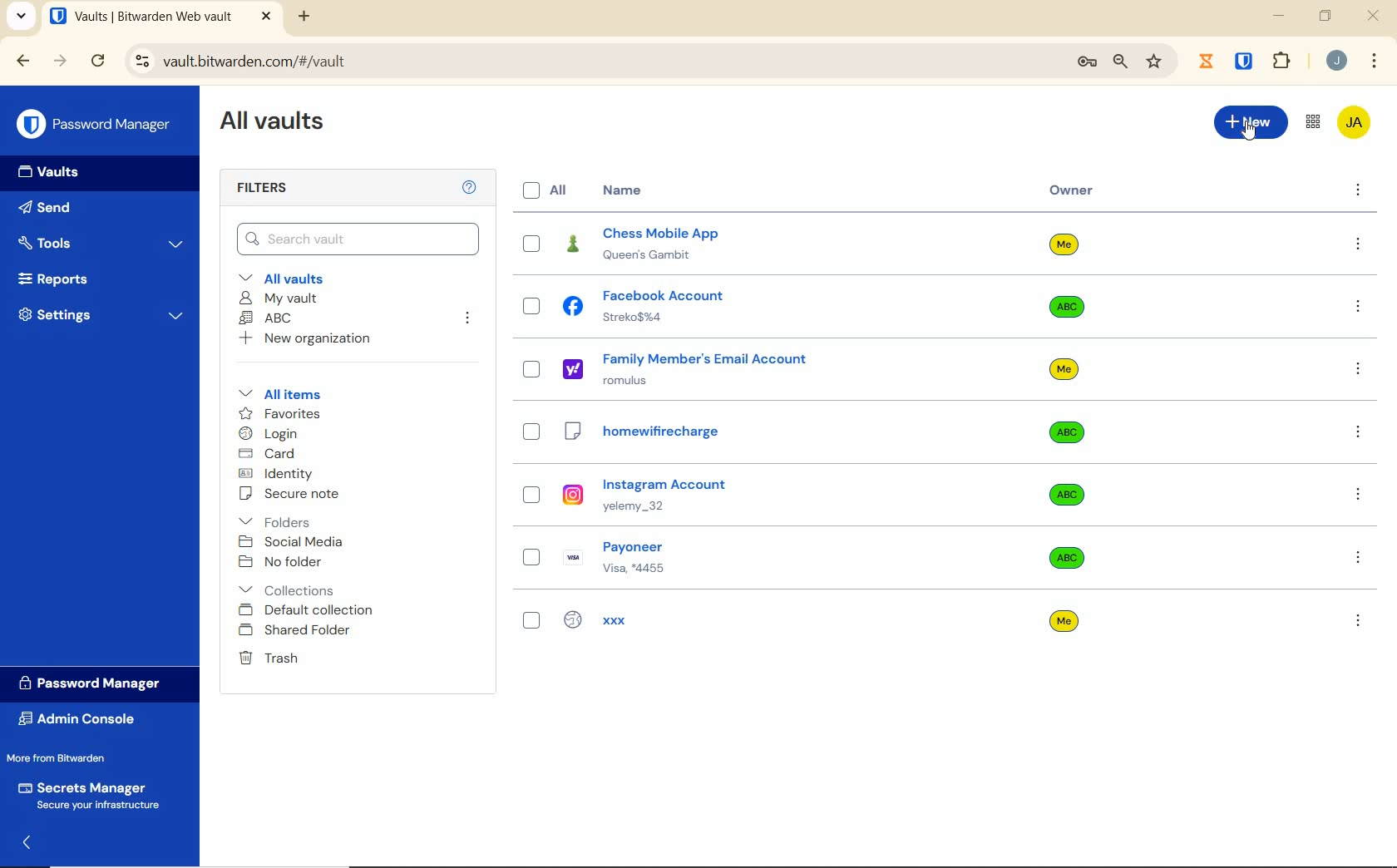 This screenshot has height=868, width=1397. I want to click on more options, so click(1358, 192).